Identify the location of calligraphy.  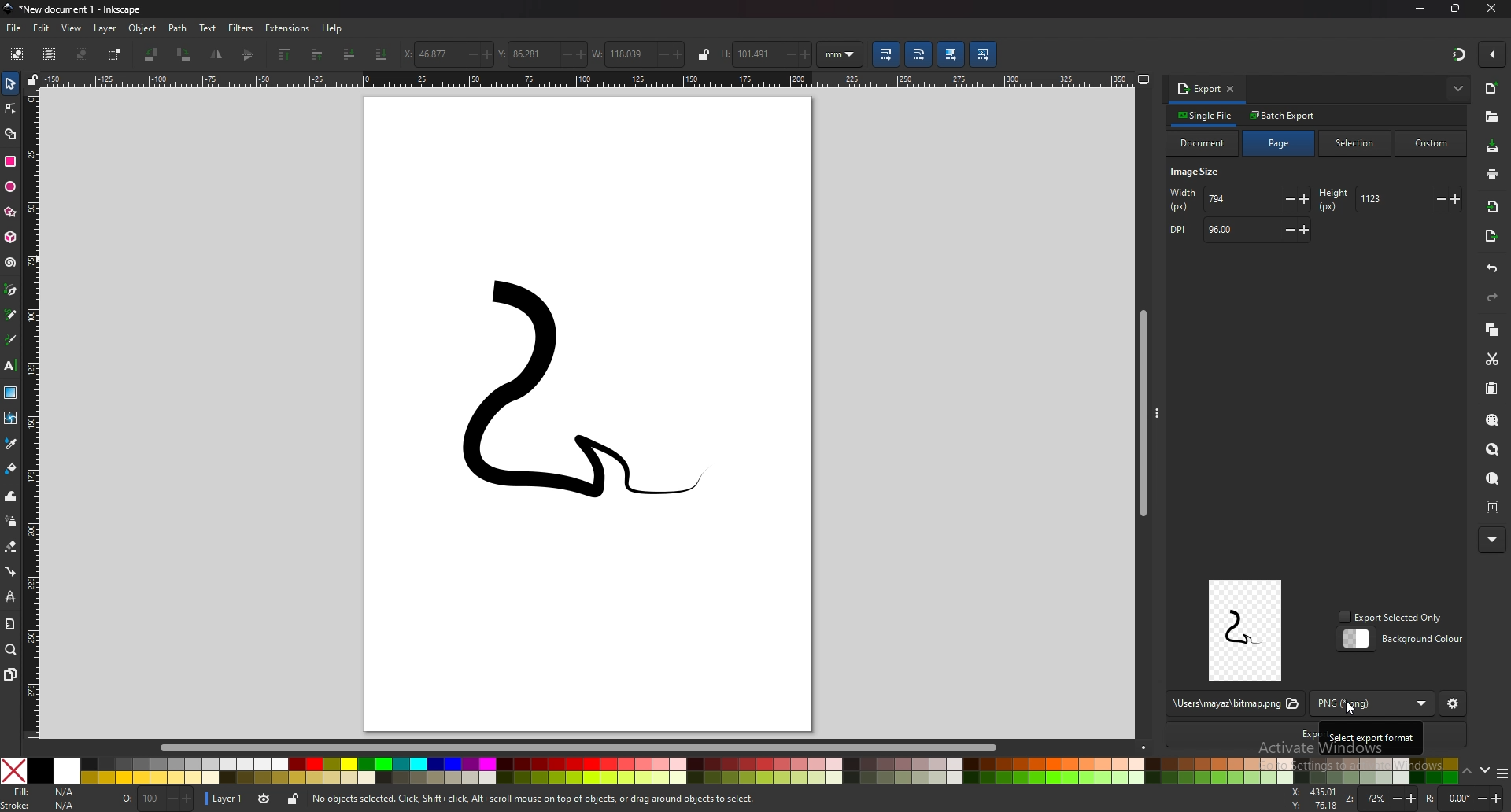
(11, 339).